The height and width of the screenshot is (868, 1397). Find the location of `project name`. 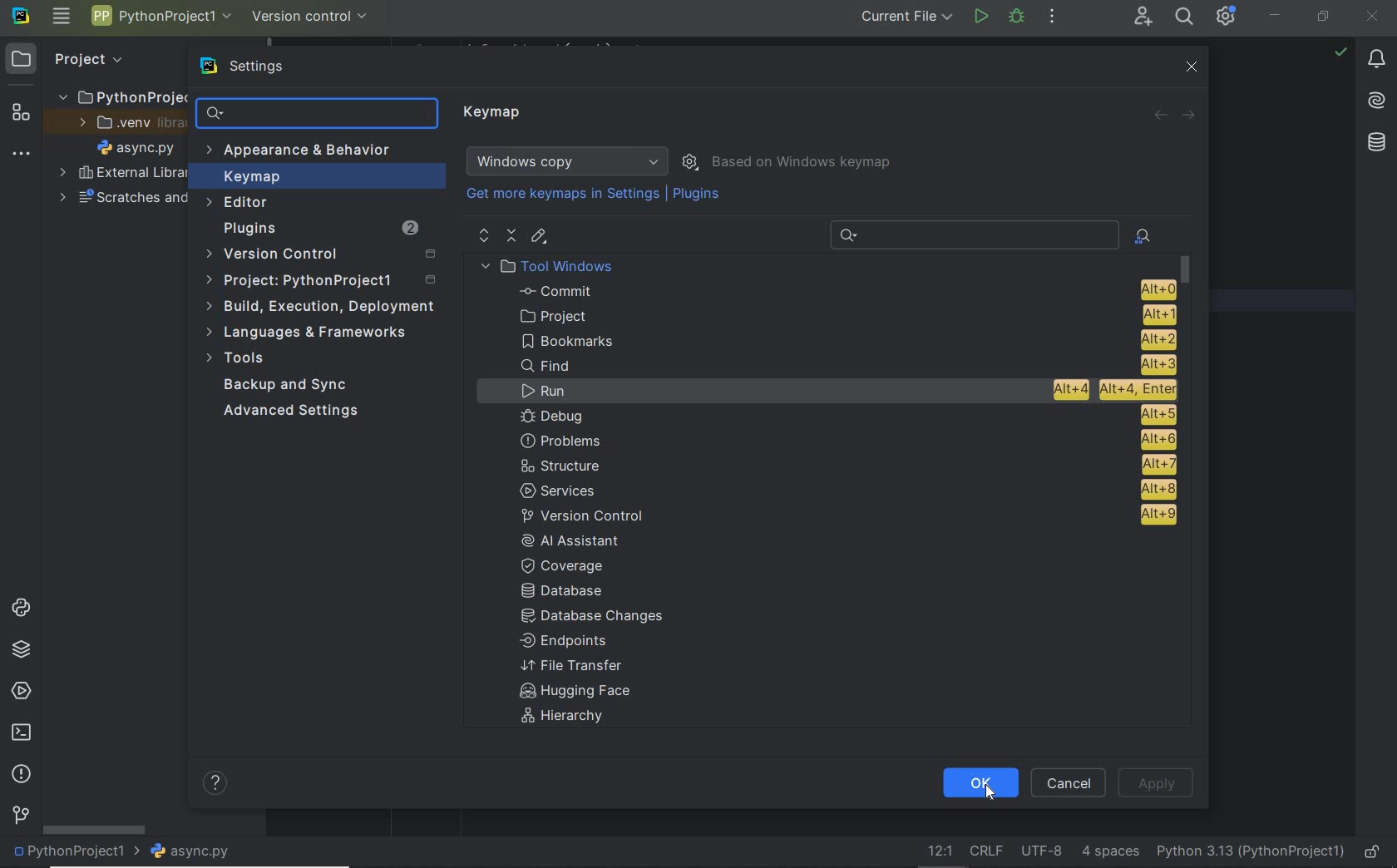

project name is located at coordinates (72, 853).